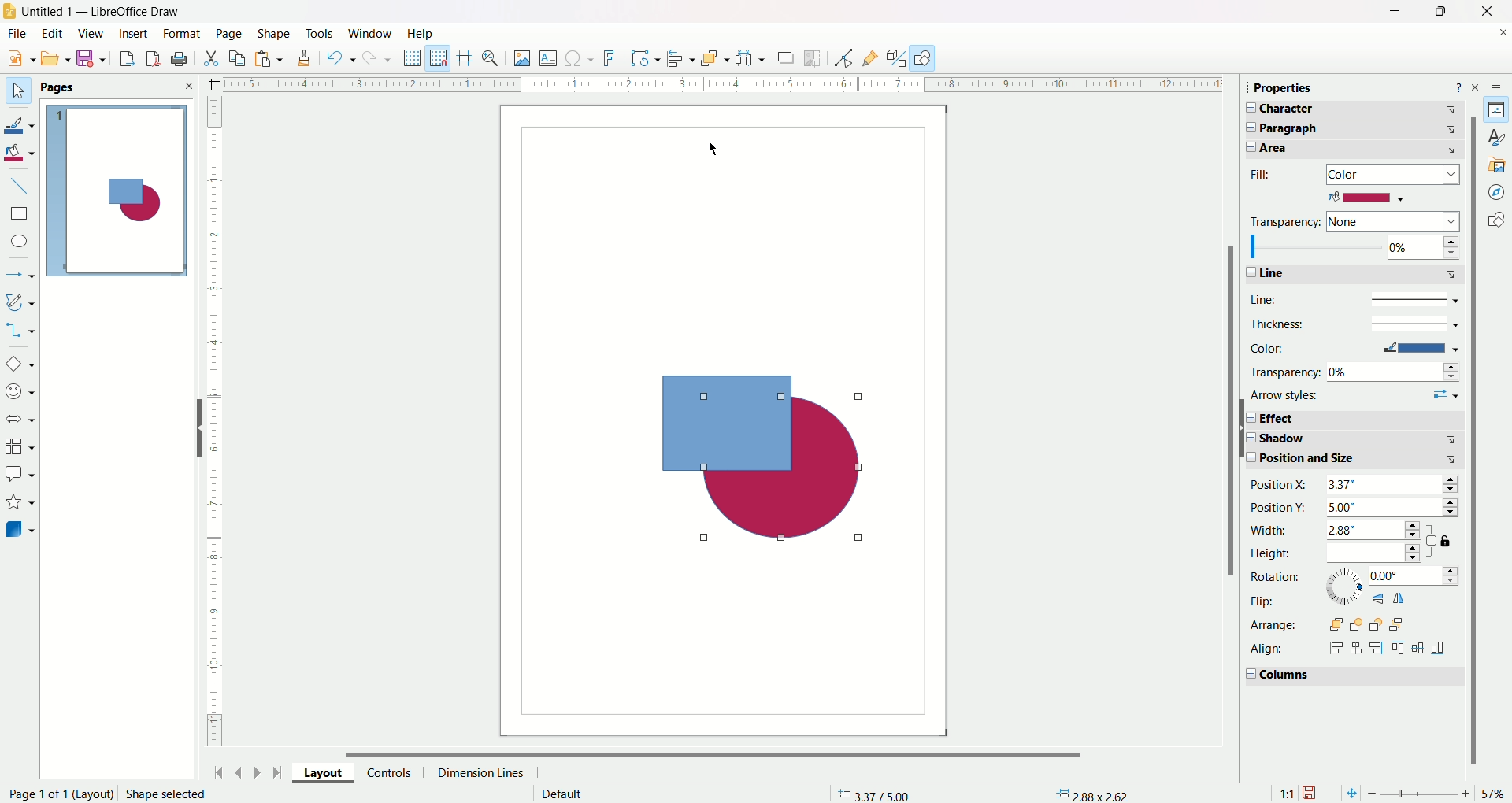  Describe the element at coordinates (101, 9) in the screenshot. I see `title` at that location.